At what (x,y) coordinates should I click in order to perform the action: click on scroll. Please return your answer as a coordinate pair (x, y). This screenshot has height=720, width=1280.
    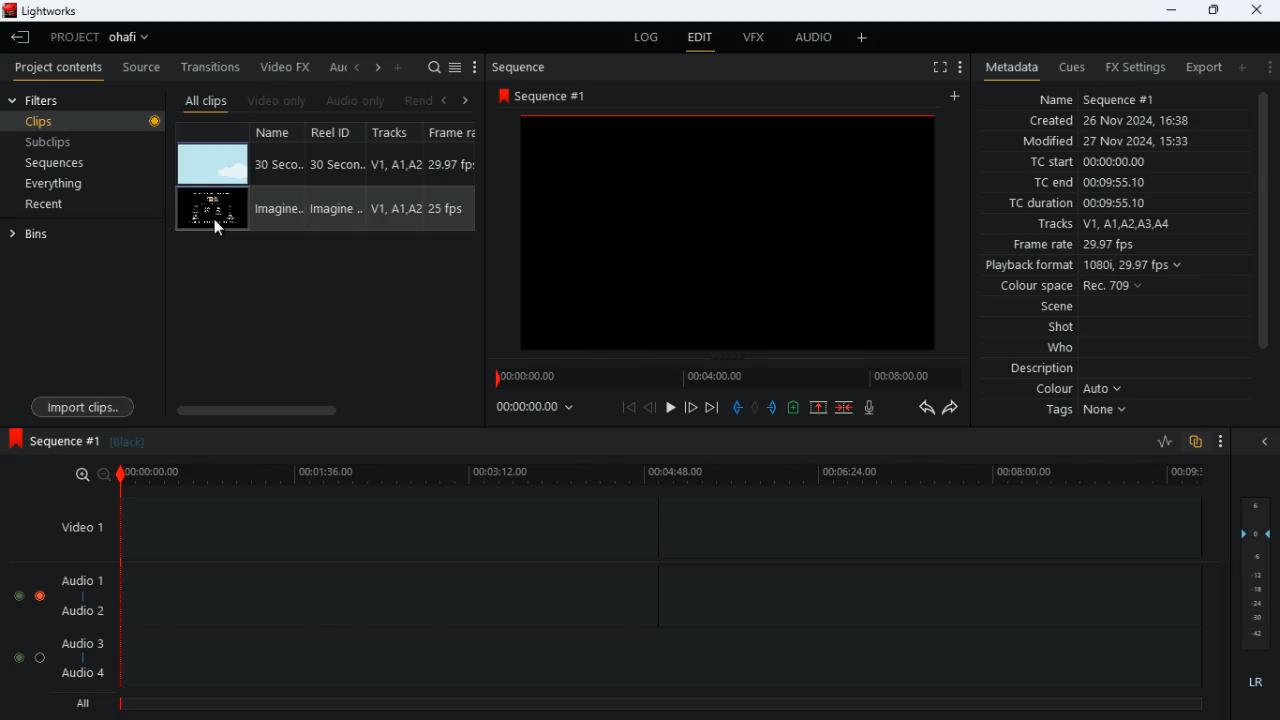
    Looking at the image, I should click on (318, 408).